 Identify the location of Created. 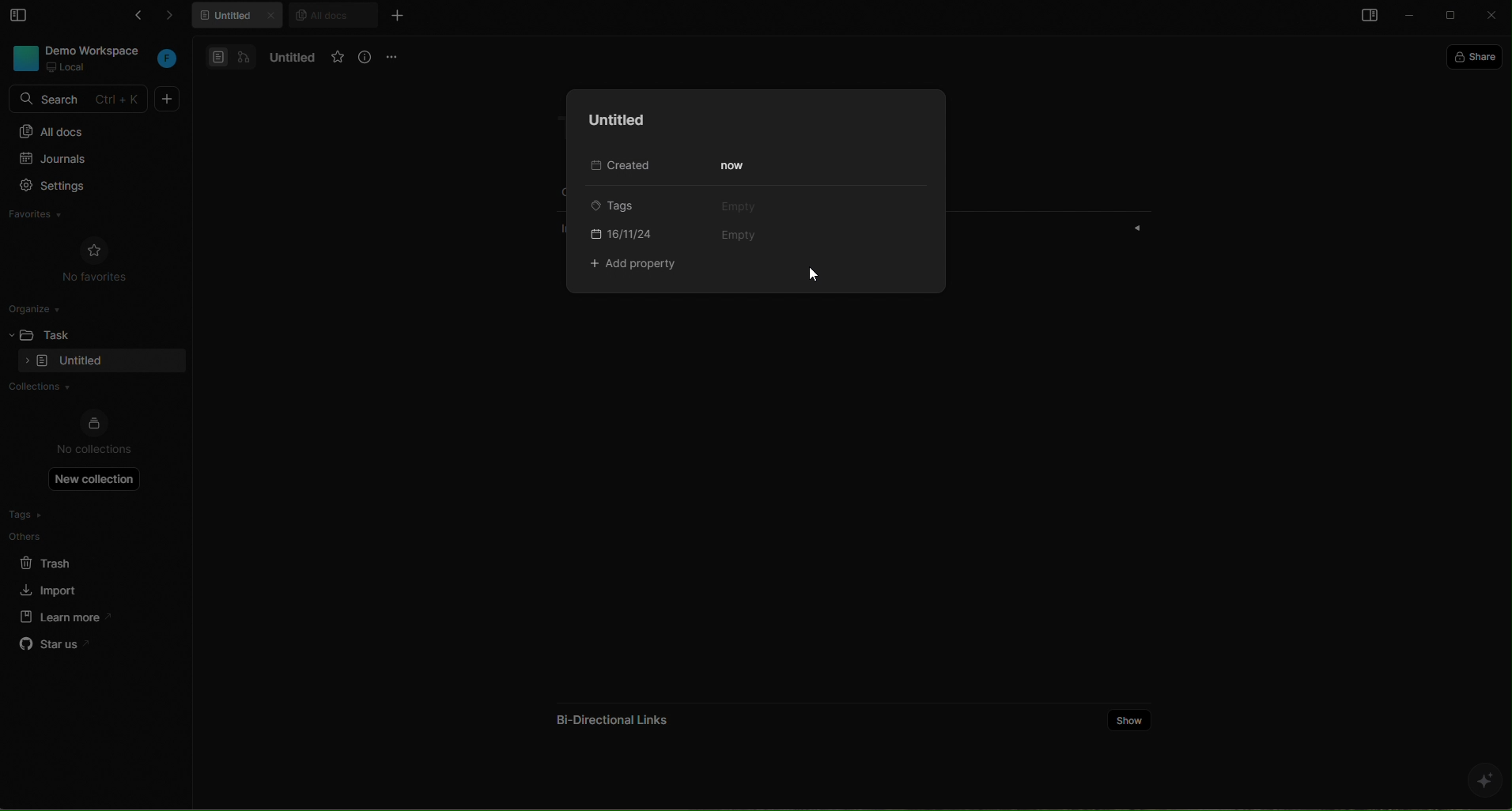
(617, 167).